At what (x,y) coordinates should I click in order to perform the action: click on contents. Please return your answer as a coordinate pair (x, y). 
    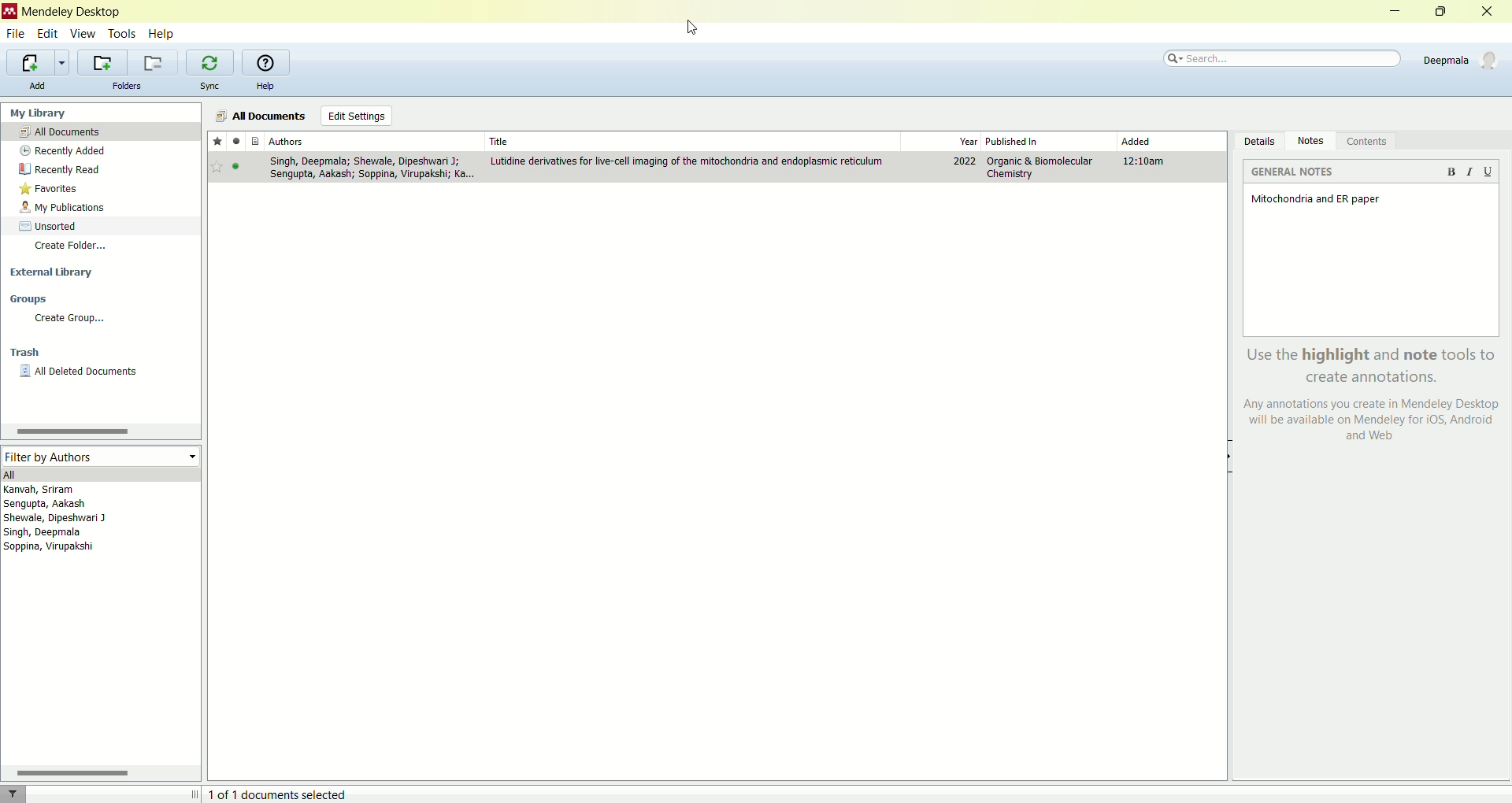
    Looking at the image, I should click on (1371, 140).